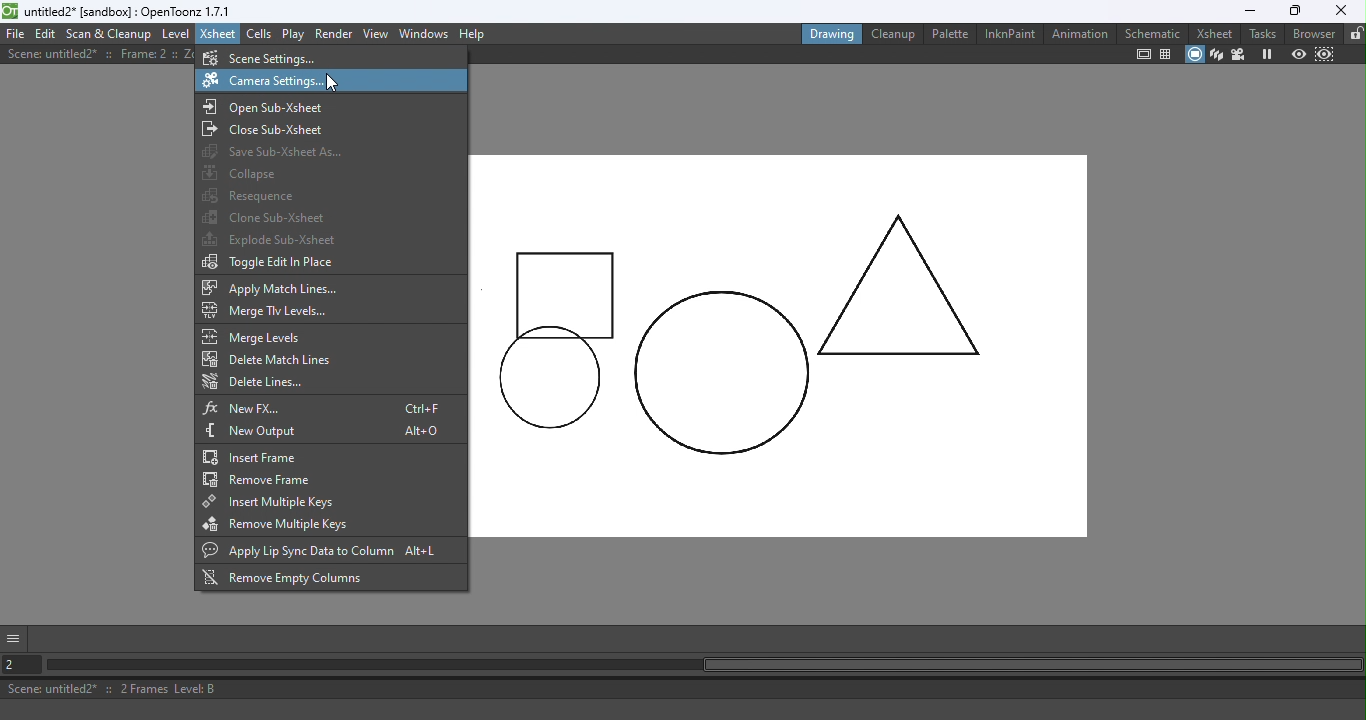 This screenshot has height=720, width=1366. I want to click on Browser, so click(1314, 33).